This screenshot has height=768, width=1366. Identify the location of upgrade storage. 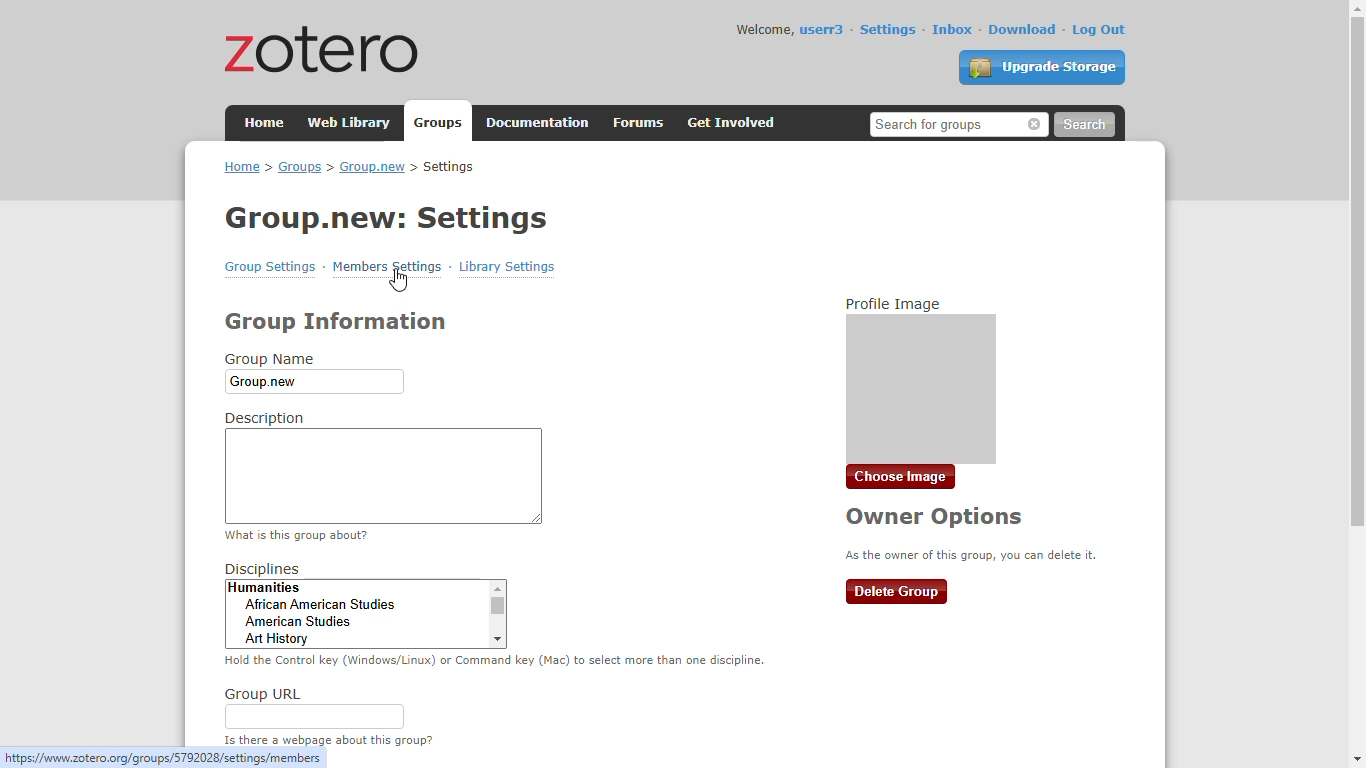
(1043, 67).